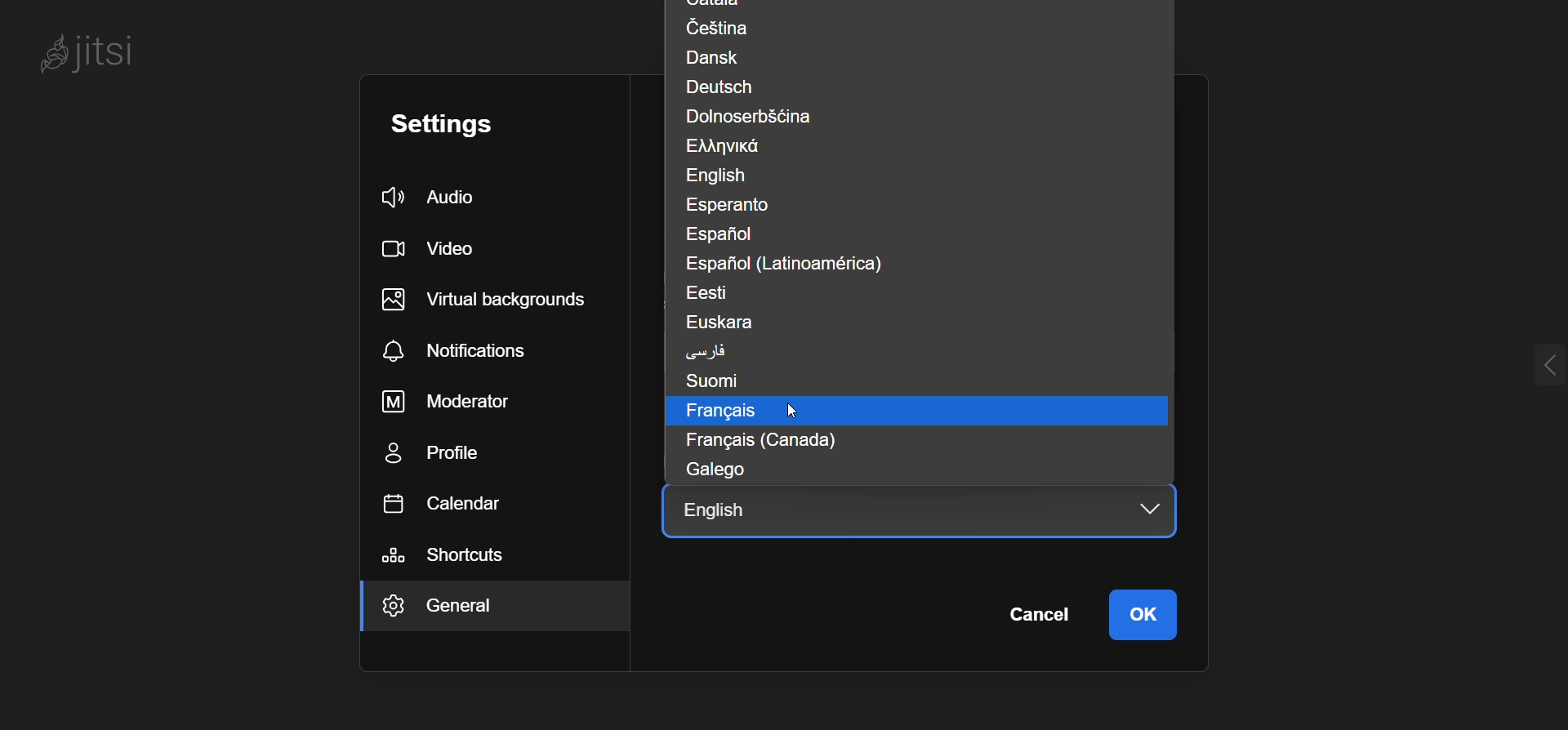 This screenshot has height=730, width=1568. I want to click on moderator, so click(456, 402).